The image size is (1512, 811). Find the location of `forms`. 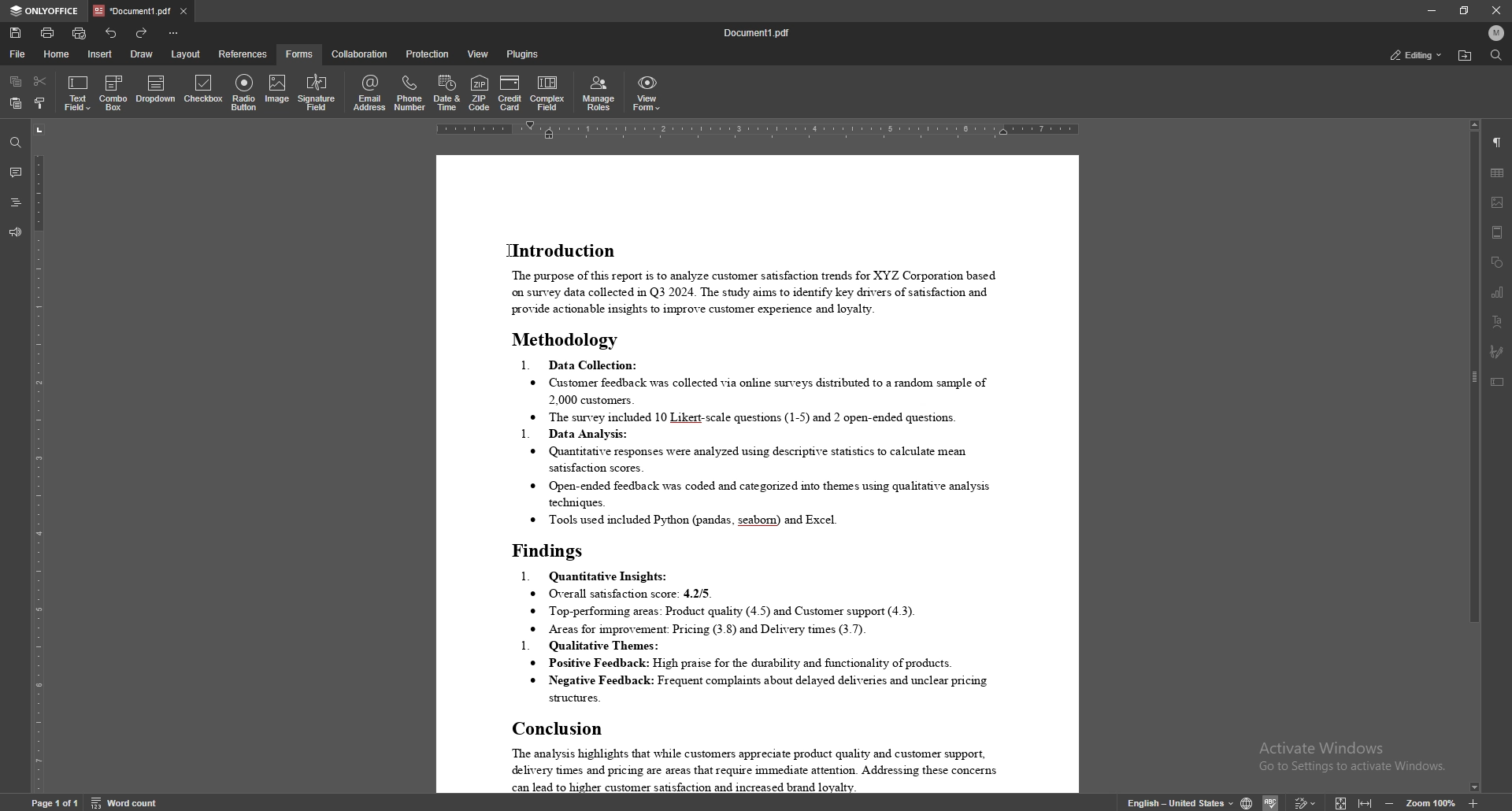

forms is located at coordinates (299, 54).